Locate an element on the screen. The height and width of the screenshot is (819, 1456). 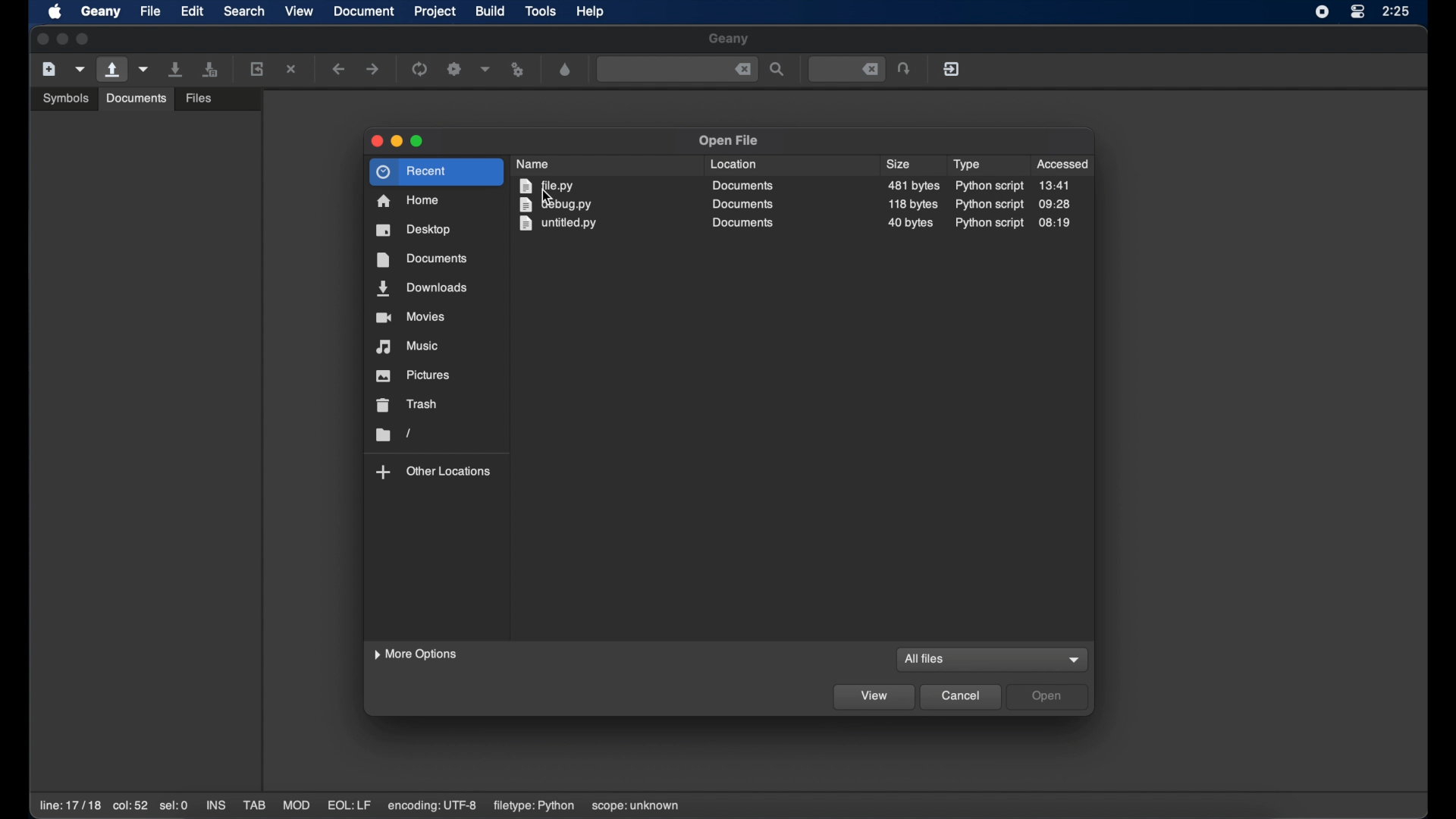
eql:lf is located at coordinates (350, 805).